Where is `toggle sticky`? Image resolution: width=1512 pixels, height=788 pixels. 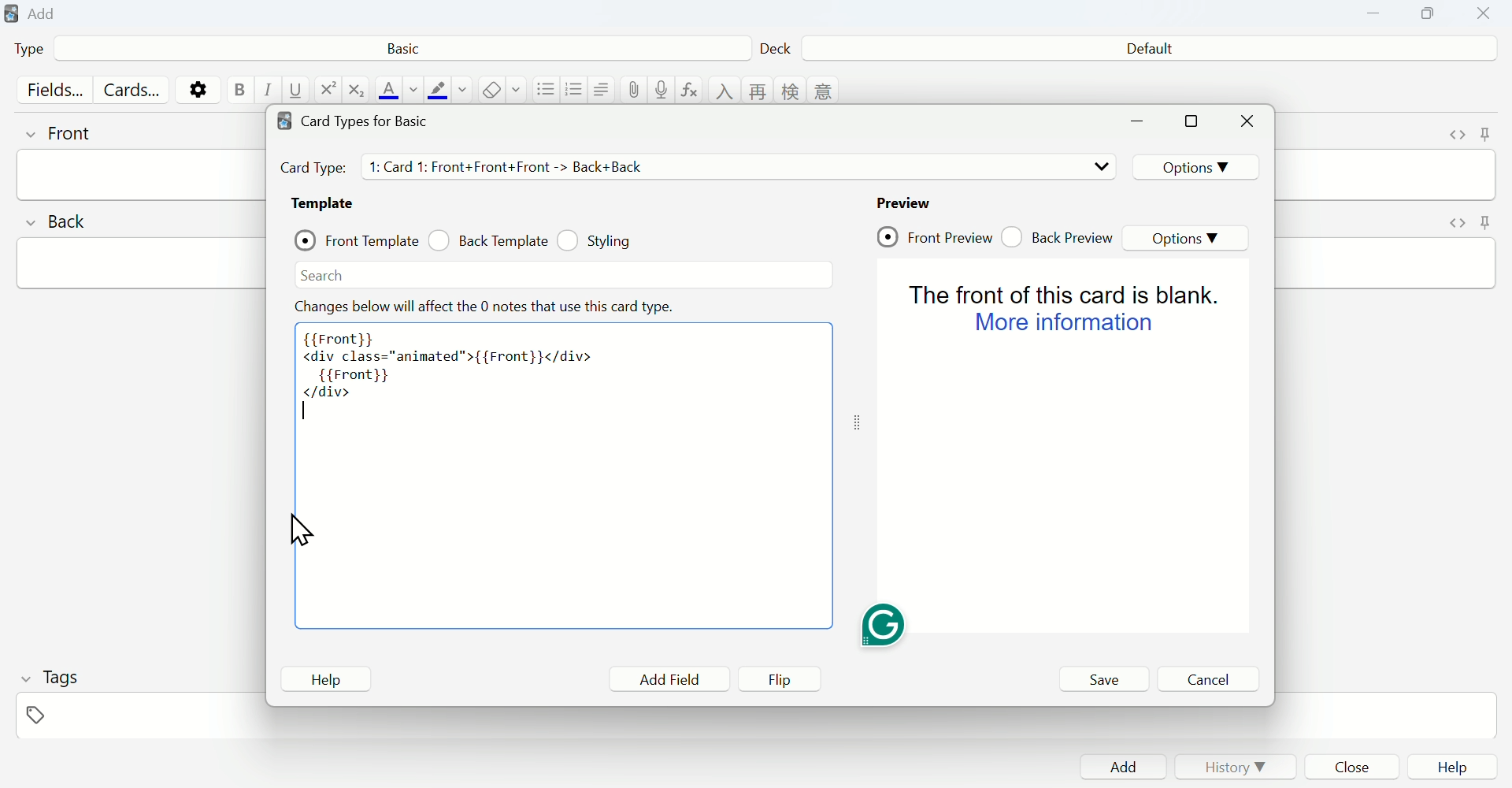 toggle sticky is located at coordinates (1485, 134).